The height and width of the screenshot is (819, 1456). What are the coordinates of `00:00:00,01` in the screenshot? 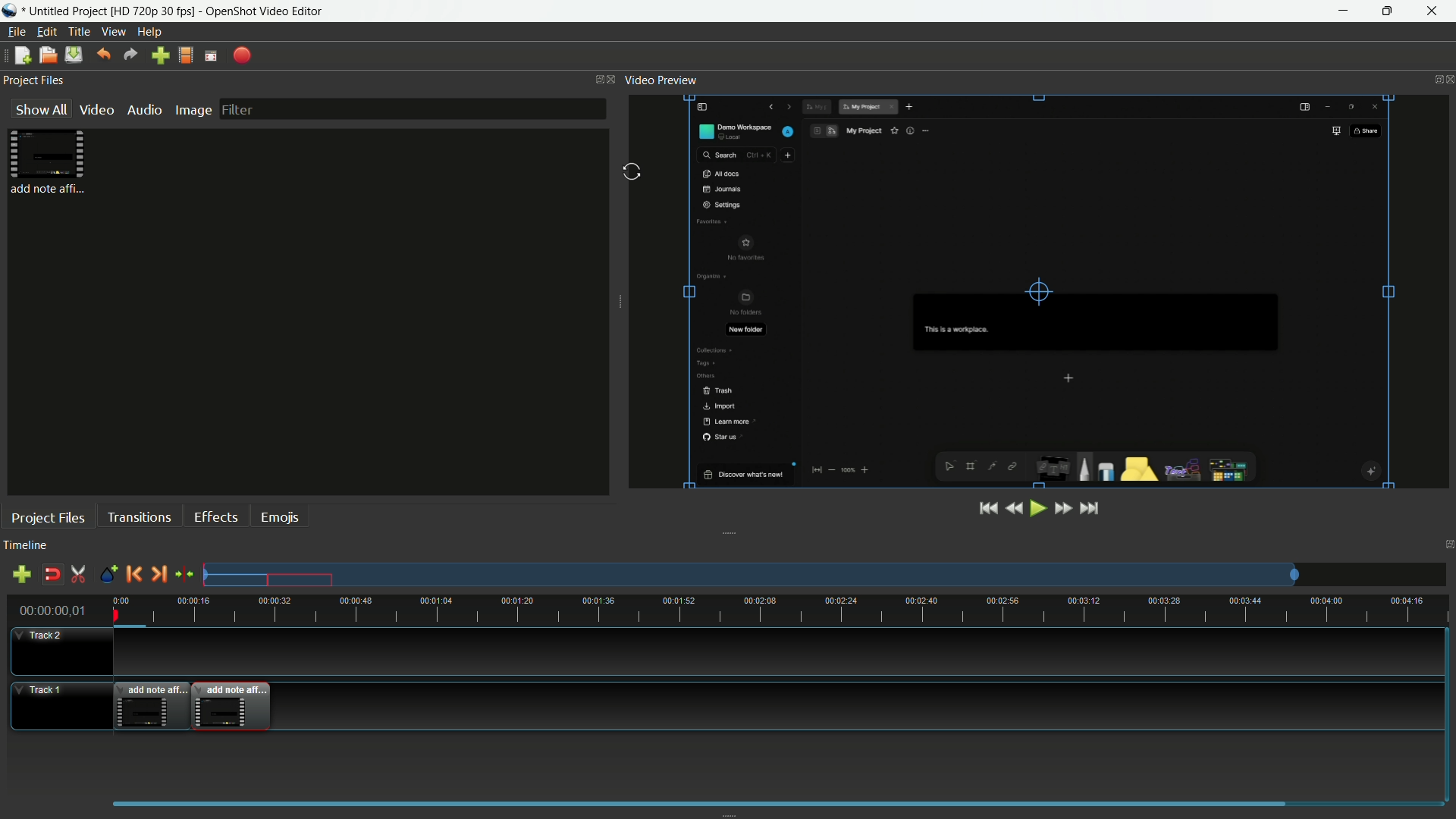 It's located at (53, 609).